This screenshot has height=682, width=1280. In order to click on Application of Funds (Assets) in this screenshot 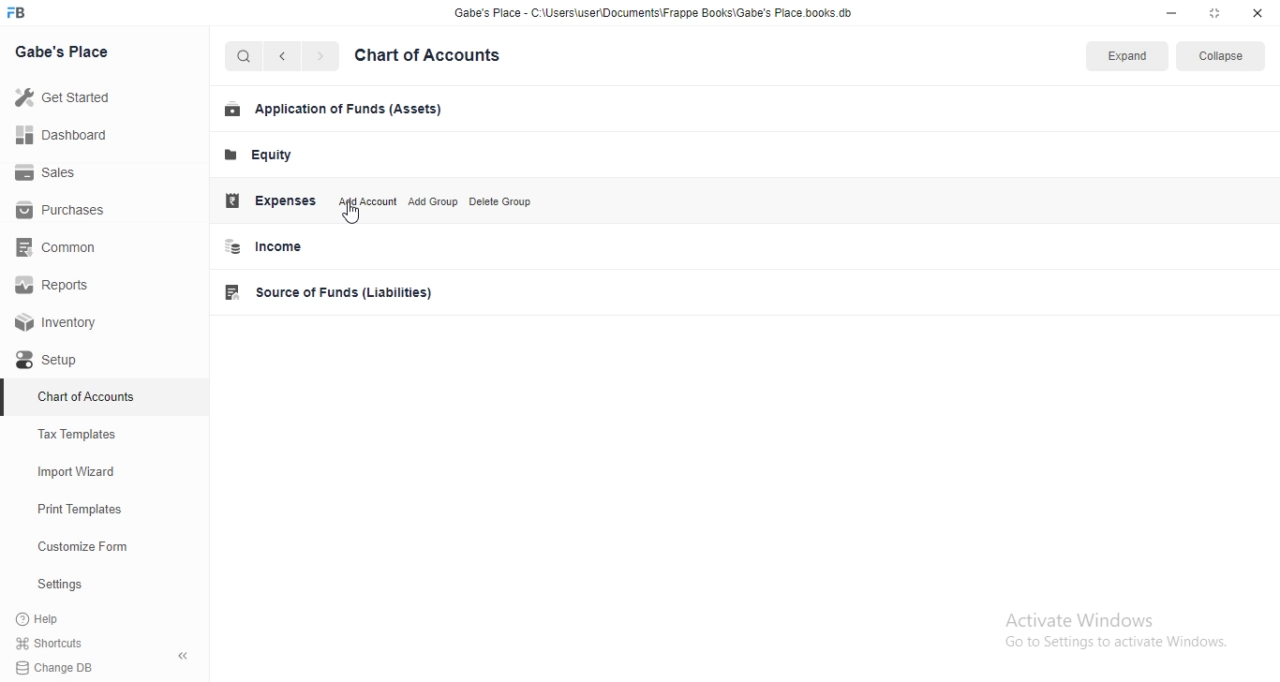, I will do `click(332, 111)`.